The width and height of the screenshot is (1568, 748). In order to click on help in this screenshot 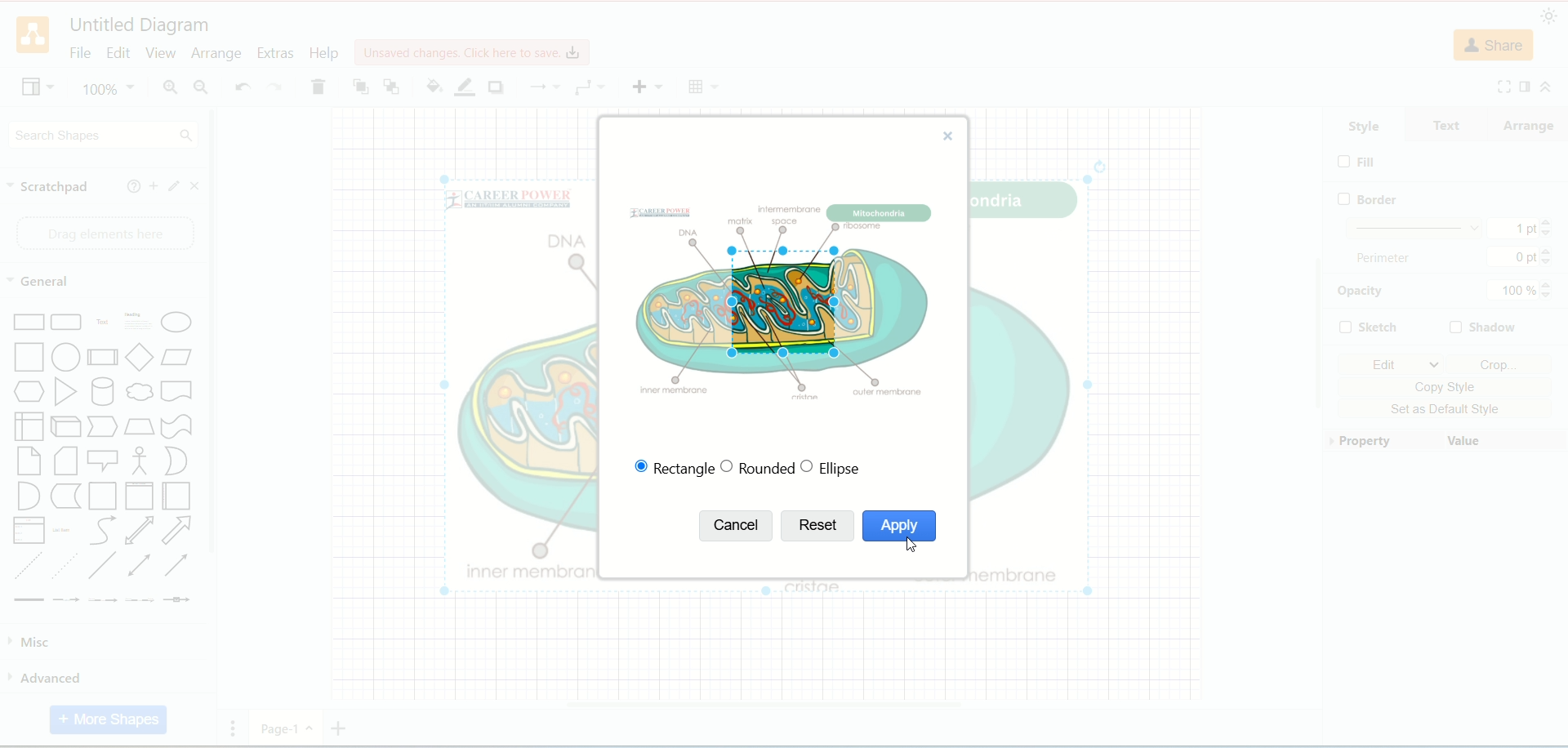, I will do `click(131, 185)`.